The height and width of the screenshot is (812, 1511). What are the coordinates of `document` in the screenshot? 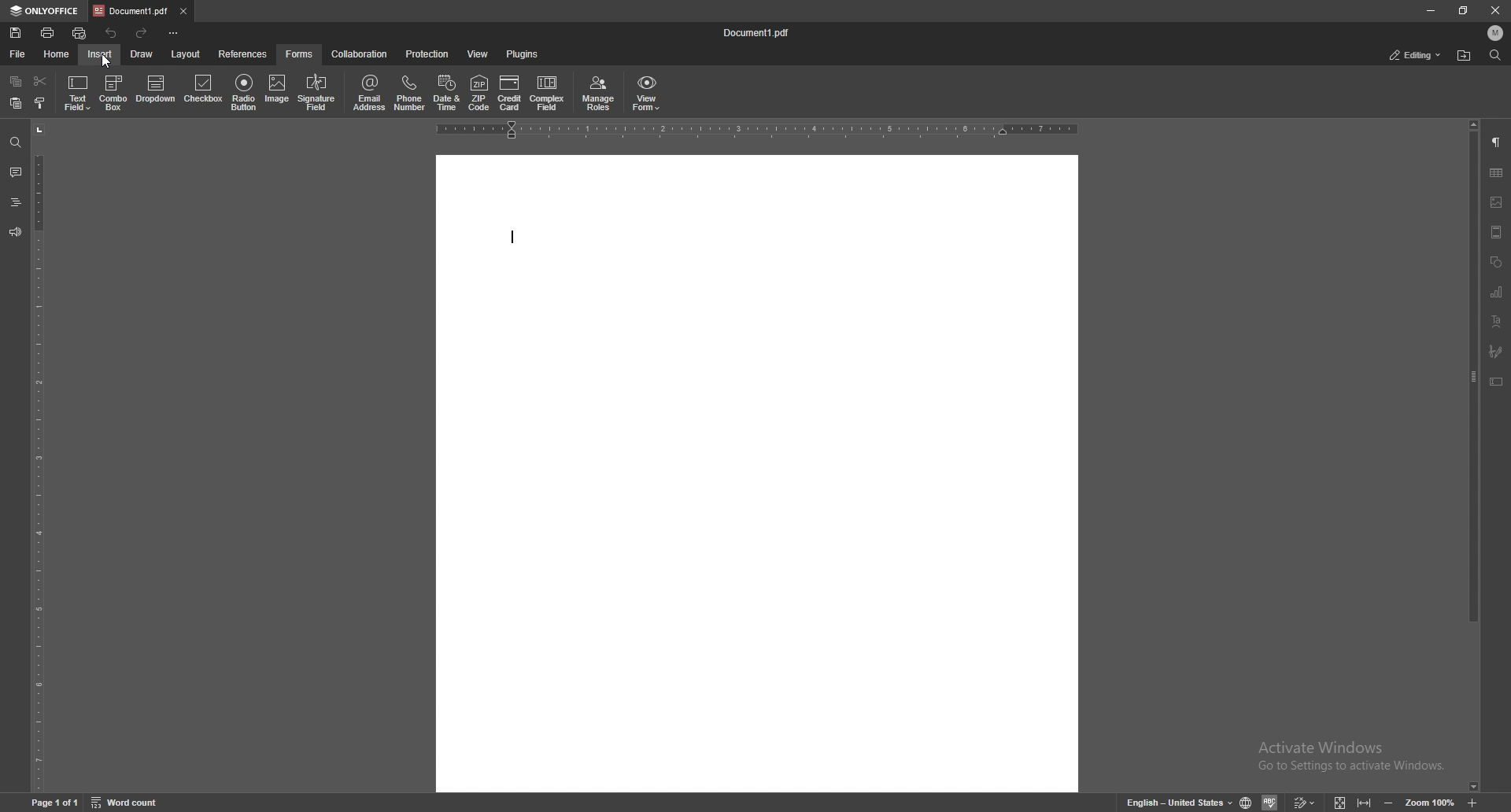 It's located at (754, 474).